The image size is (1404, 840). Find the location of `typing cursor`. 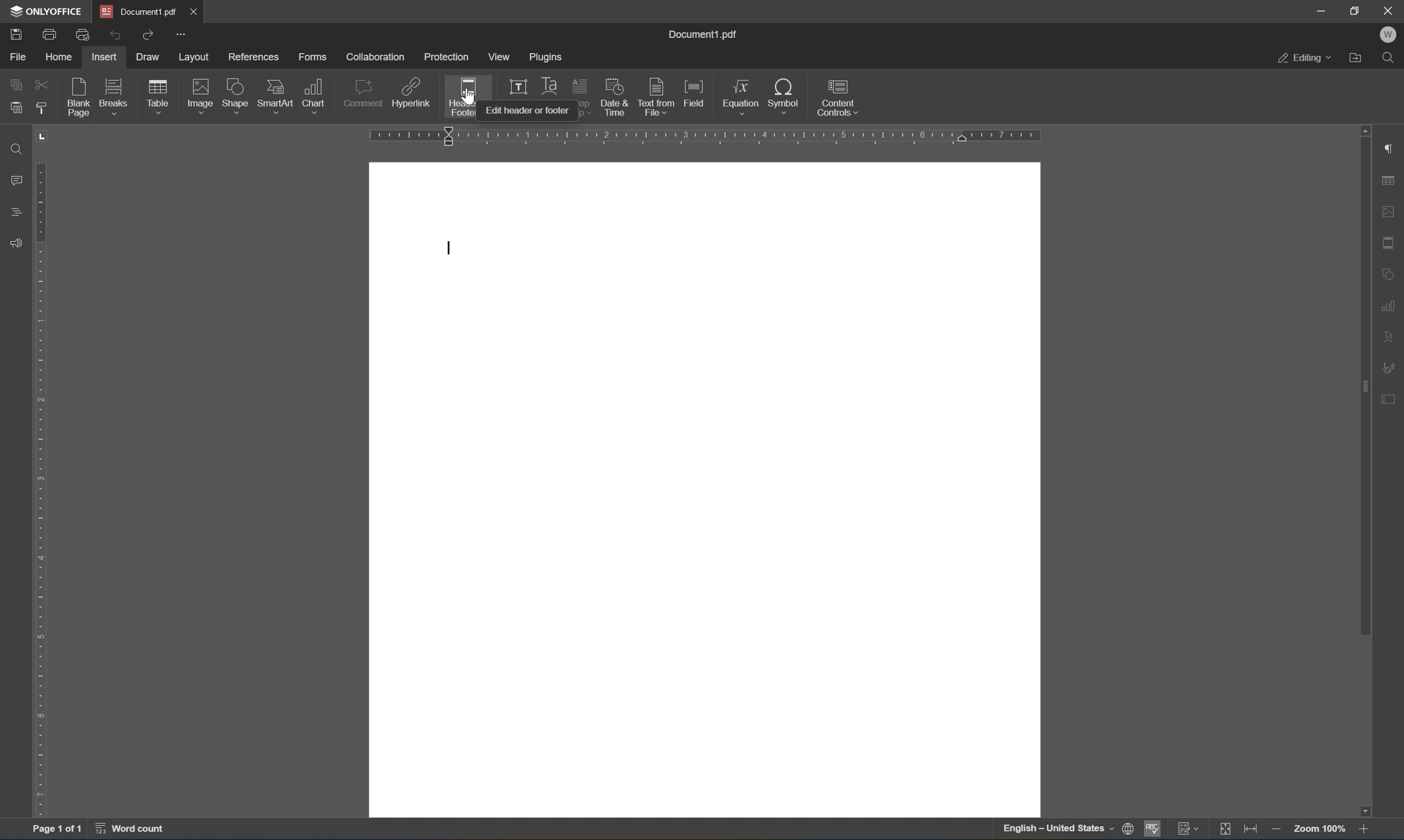

typing cursor is located at coordinates (448, 248).